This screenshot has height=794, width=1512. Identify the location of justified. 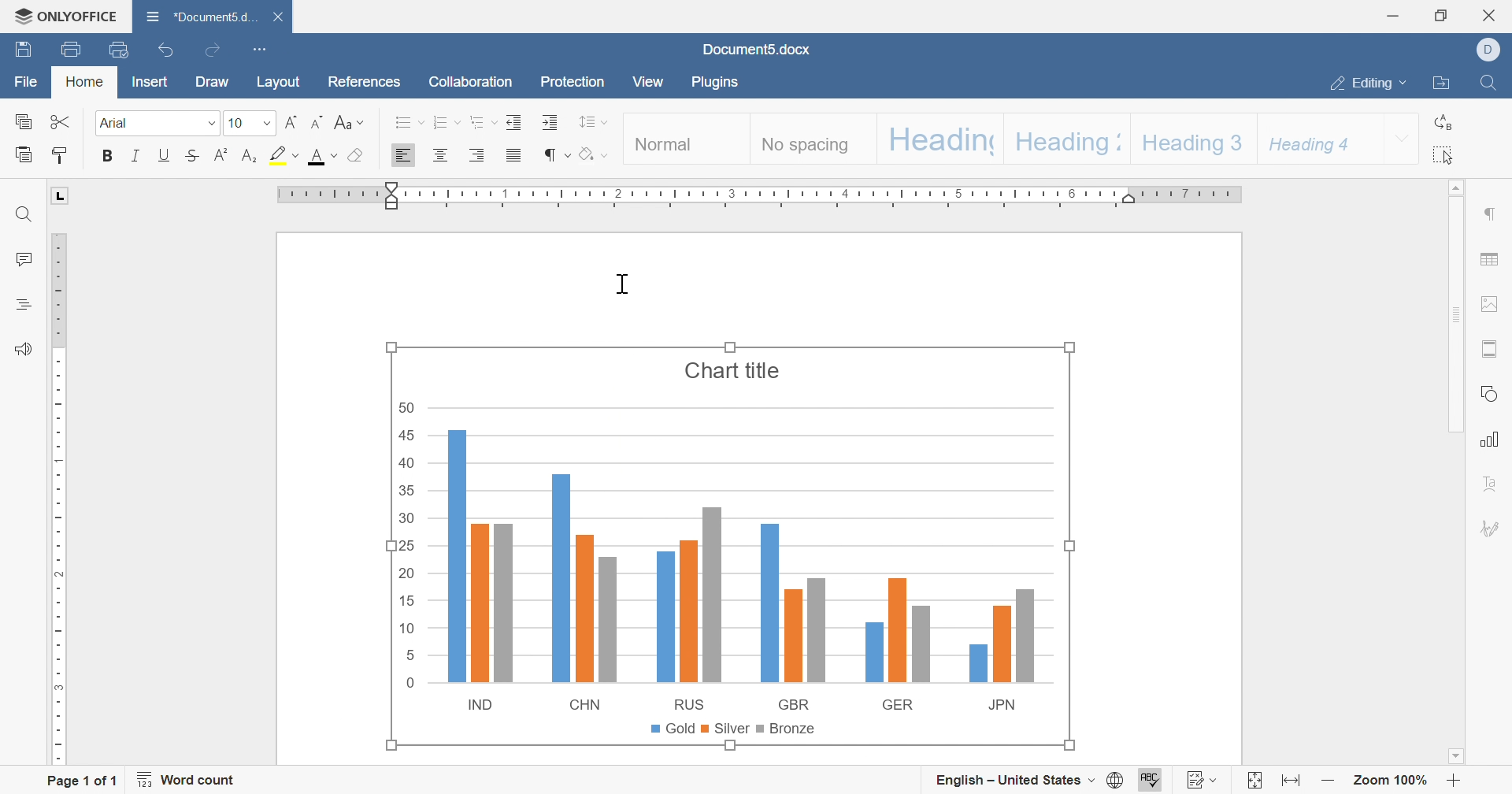
(514, 154).